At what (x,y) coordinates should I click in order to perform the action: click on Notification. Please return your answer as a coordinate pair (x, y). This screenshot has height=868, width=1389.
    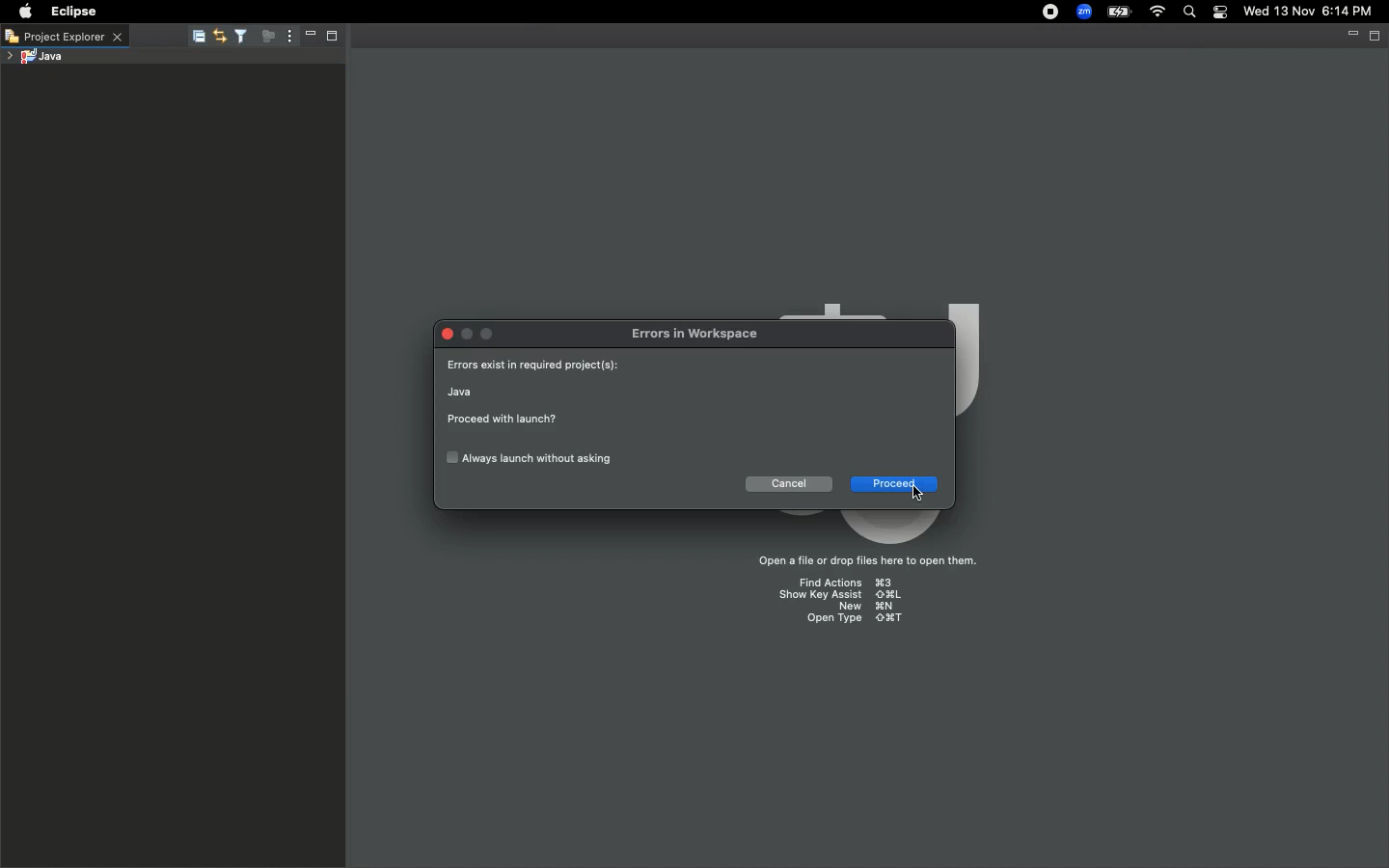
    Looking at the image, I should click on (1221, 13).